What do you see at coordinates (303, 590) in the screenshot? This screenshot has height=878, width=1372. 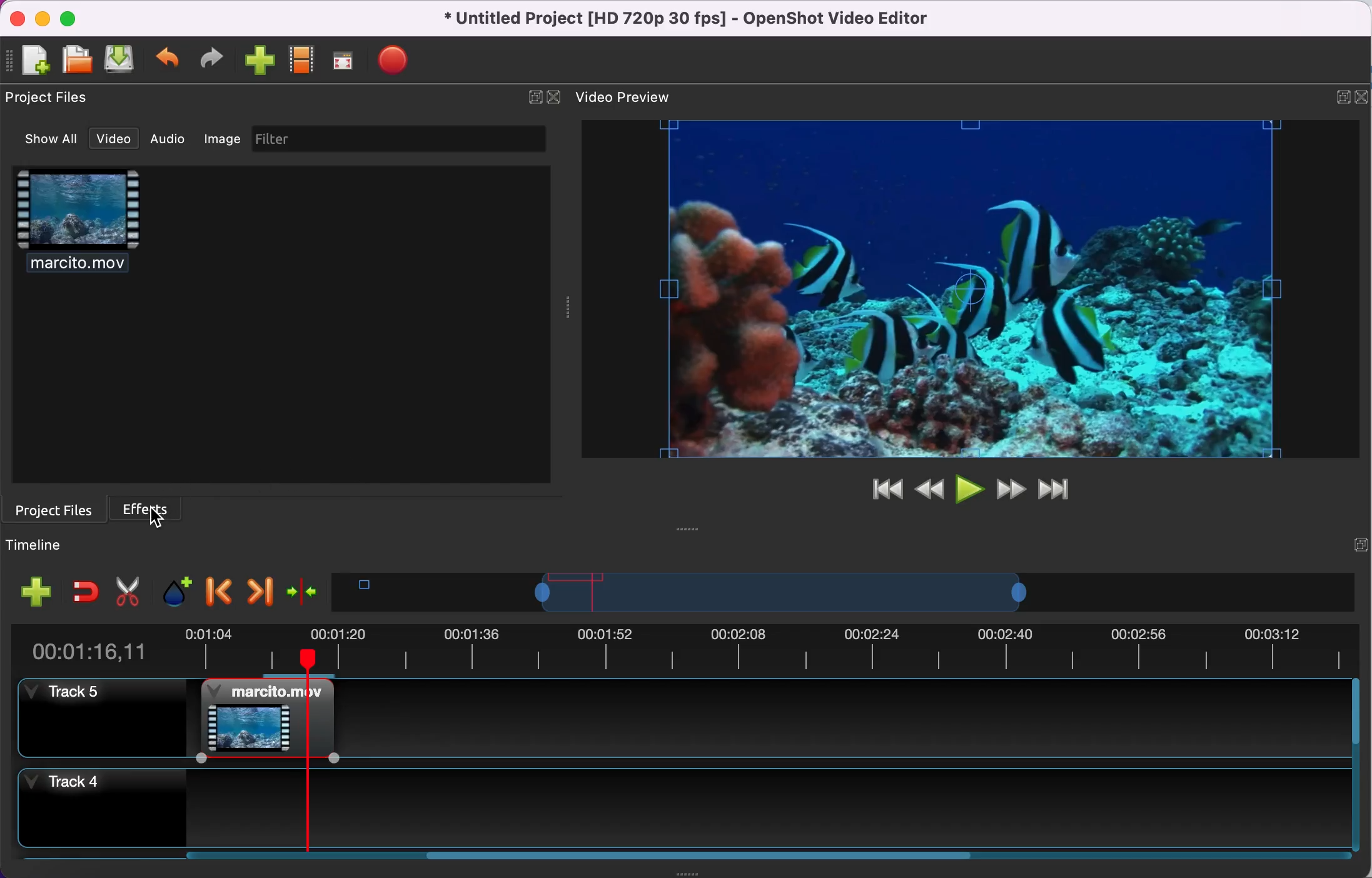 I see `center the timeline` at bounding box center [303, 590].